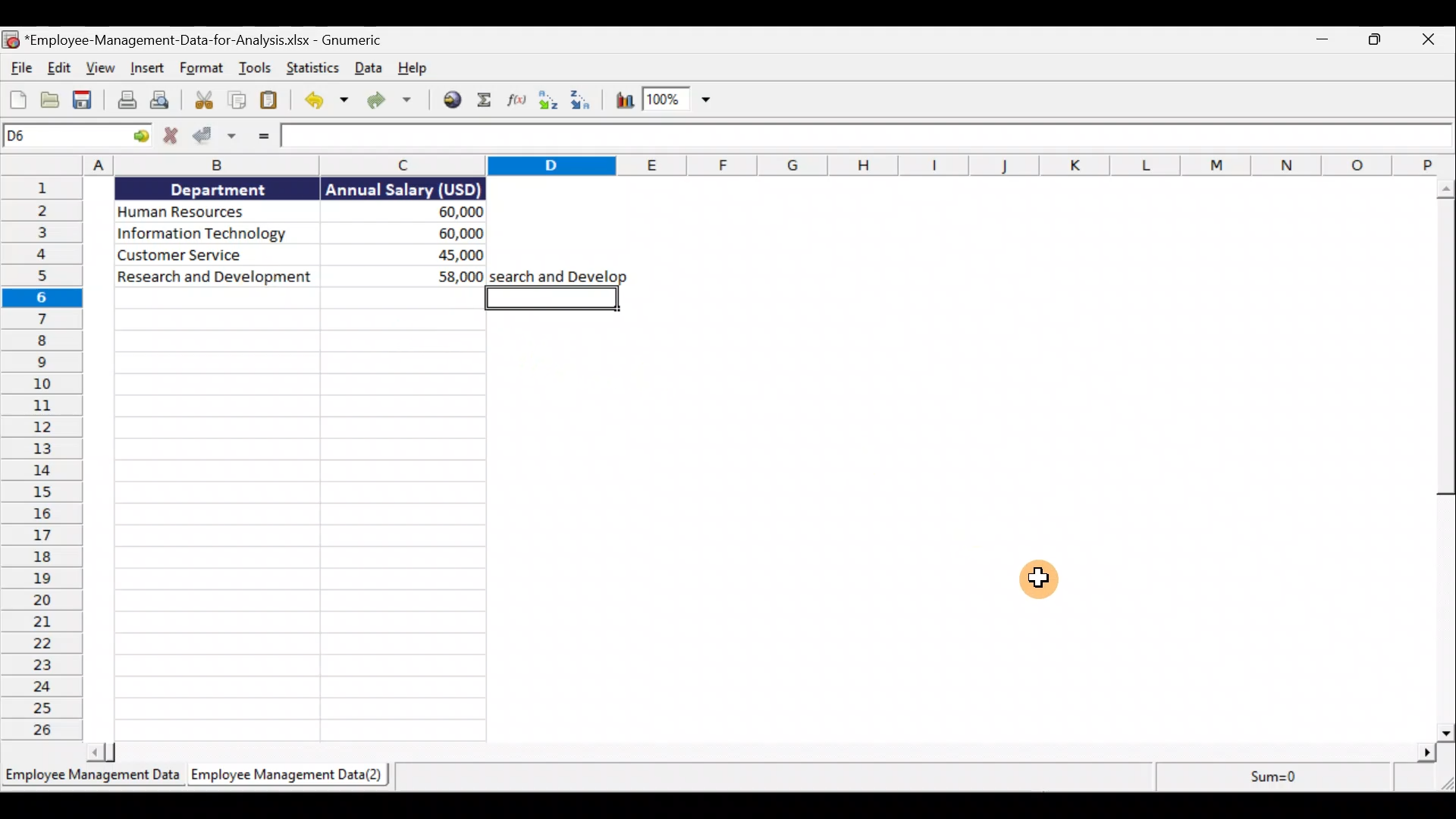 This screenshot has height=819, width=1456. I want to click on Data, so click(293, 232).